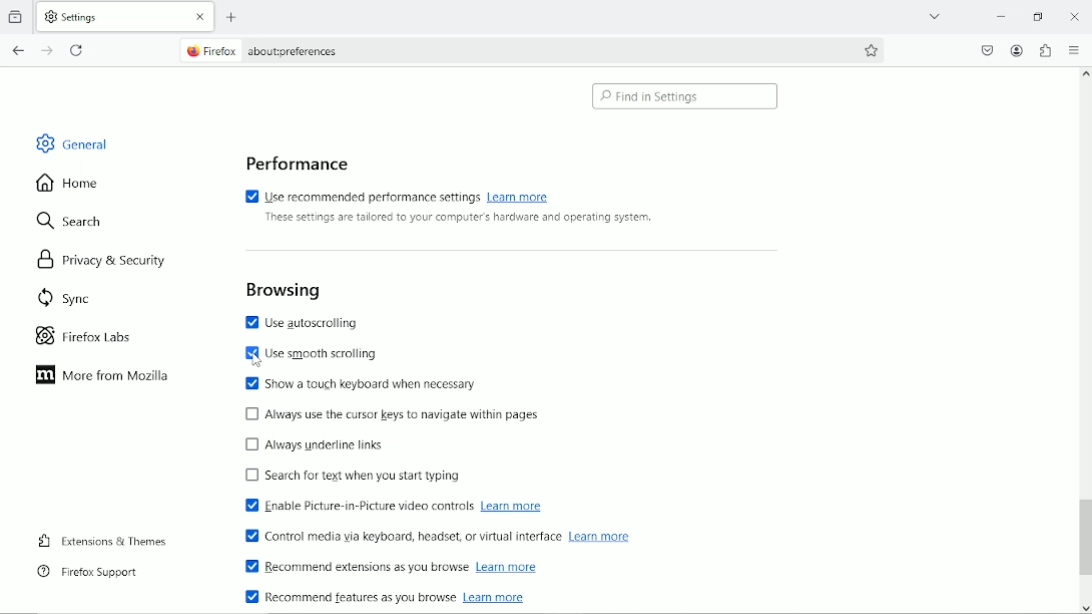 This screenshot has height=614, width=1092. I want to click on Use smooth scrolling, so click(309, 355).